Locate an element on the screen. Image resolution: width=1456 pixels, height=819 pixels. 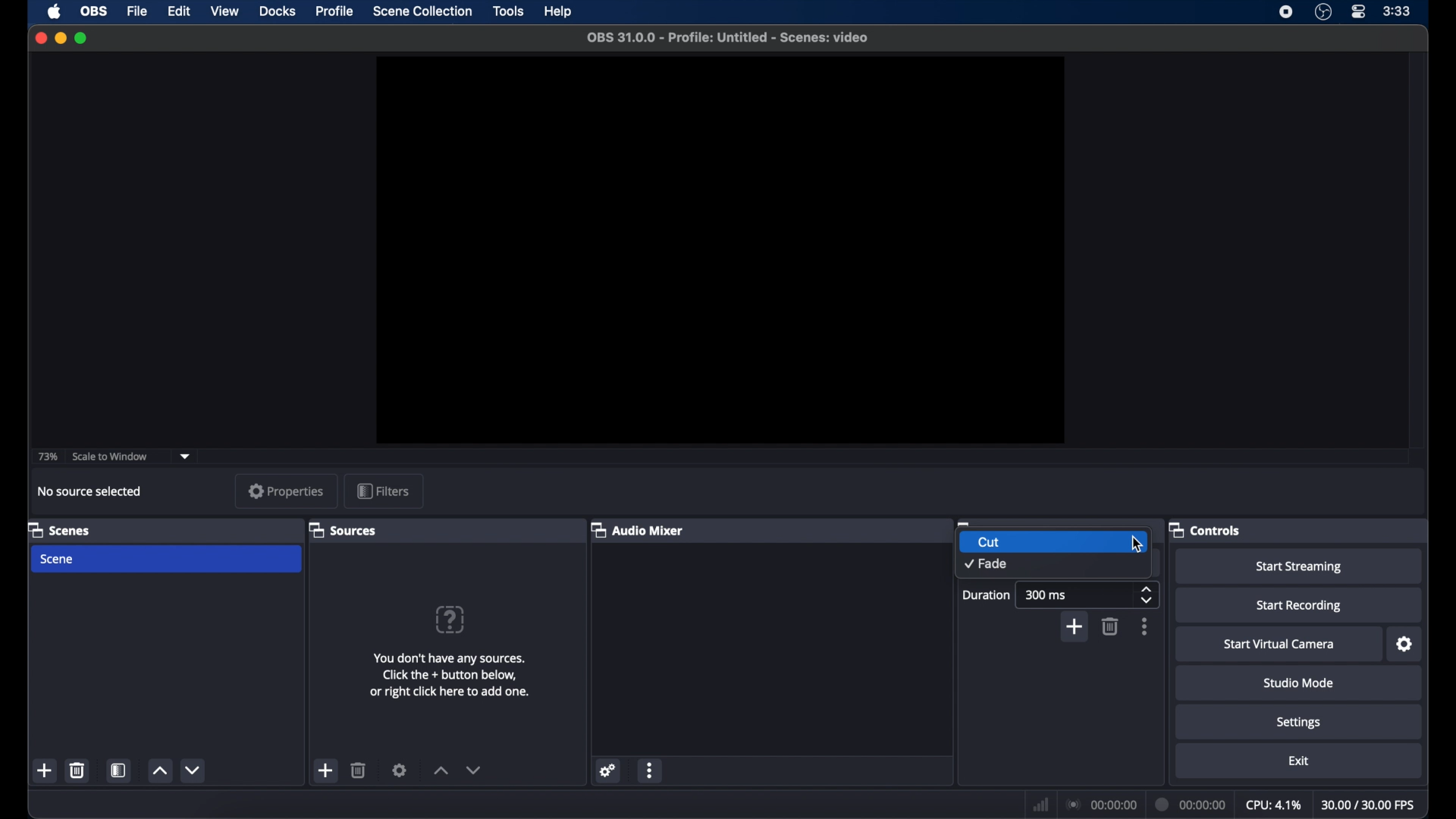
more options is located at coordinates (1145, 626).